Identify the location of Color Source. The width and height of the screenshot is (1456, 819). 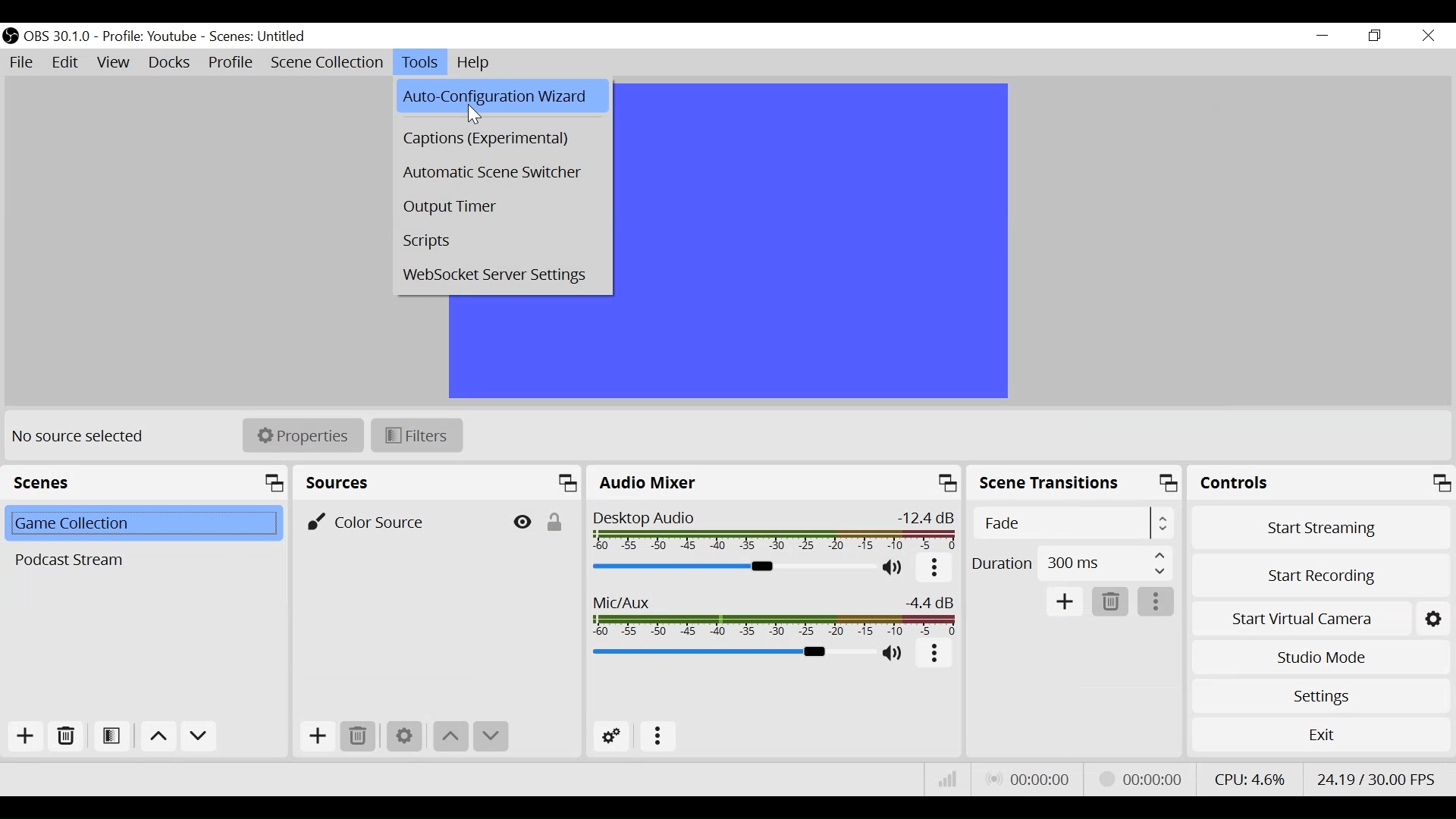
(395, 520).